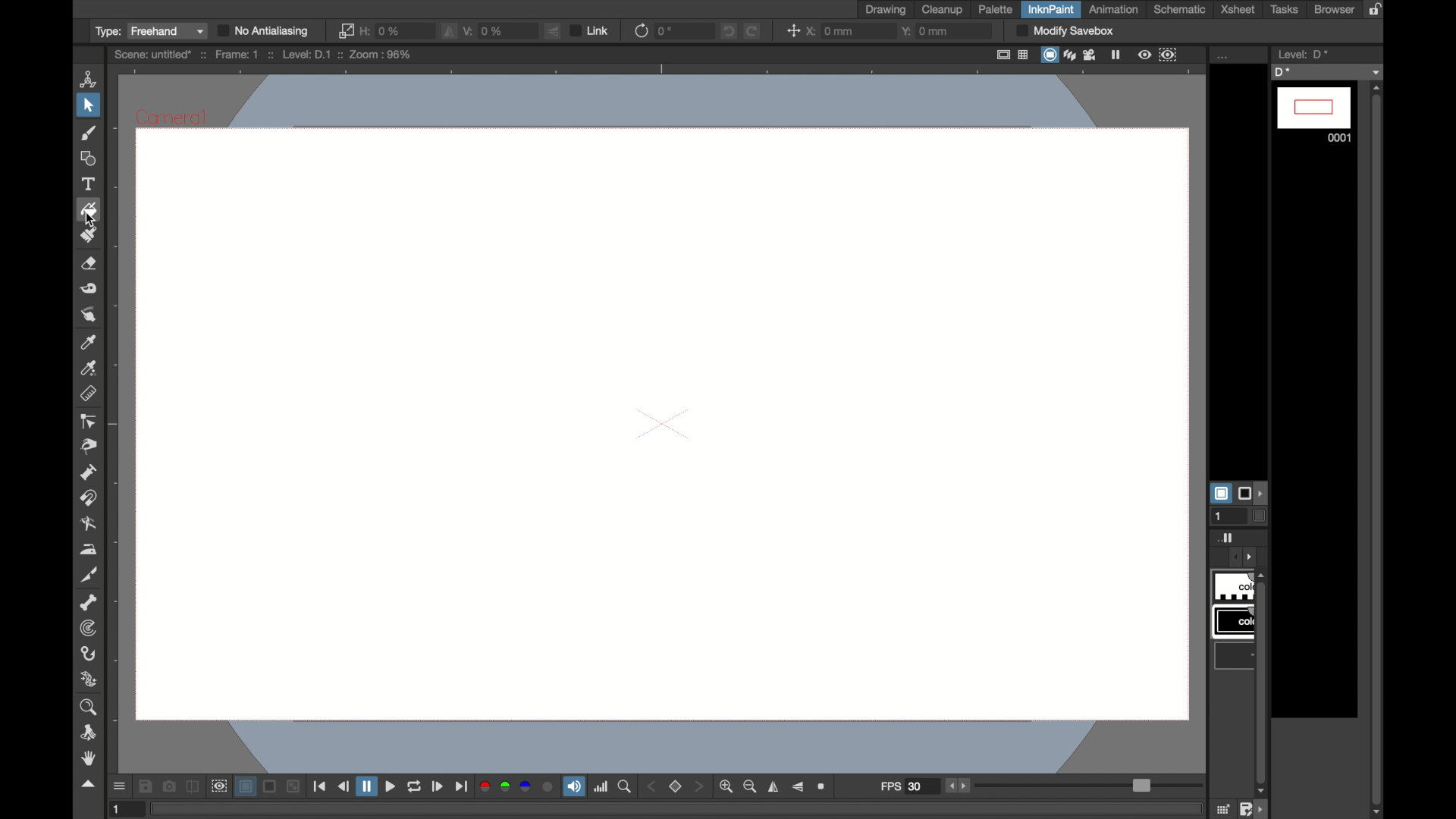 This screenshot has width=1456, height=819. Describe the element at coordinates (548, 786) in the screenshot. I see `circle` at that location.